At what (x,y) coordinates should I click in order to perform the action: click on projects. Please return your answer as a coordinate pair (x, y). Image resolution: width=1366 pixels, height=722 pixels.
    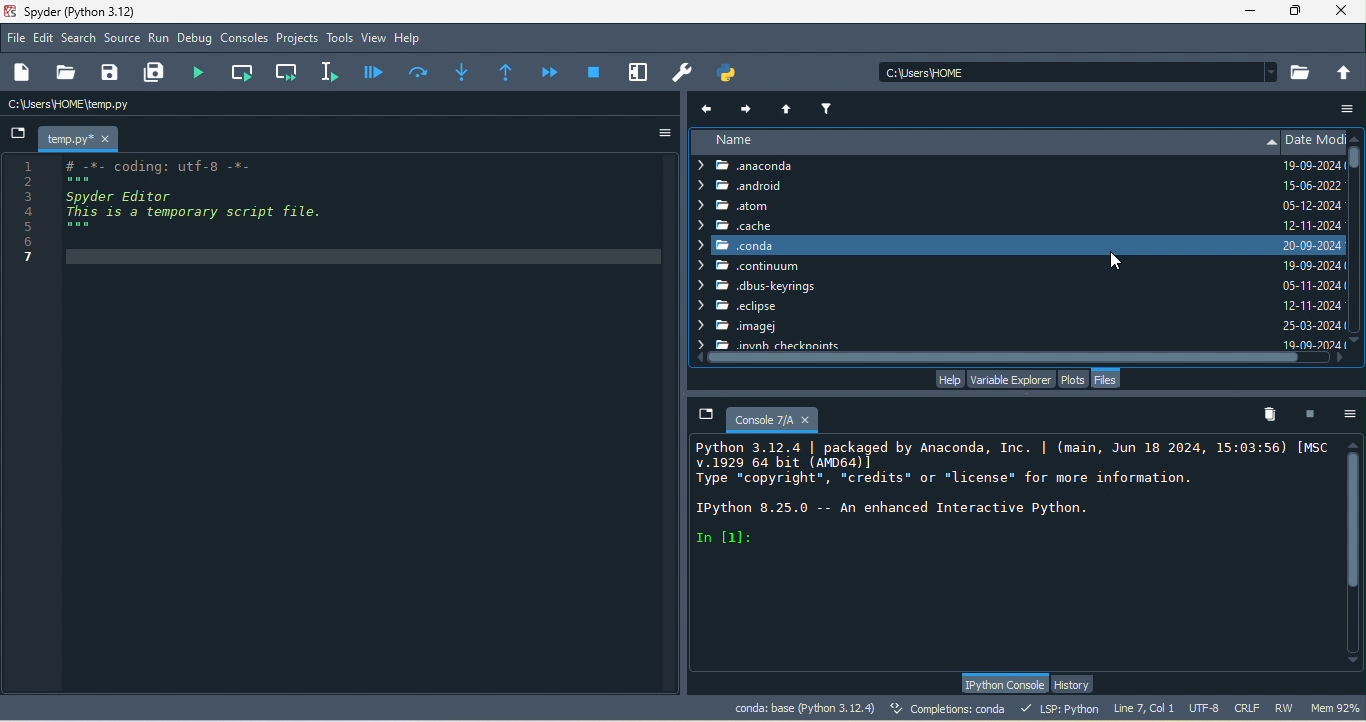
    Looking at the image, I should click on (298, 39).